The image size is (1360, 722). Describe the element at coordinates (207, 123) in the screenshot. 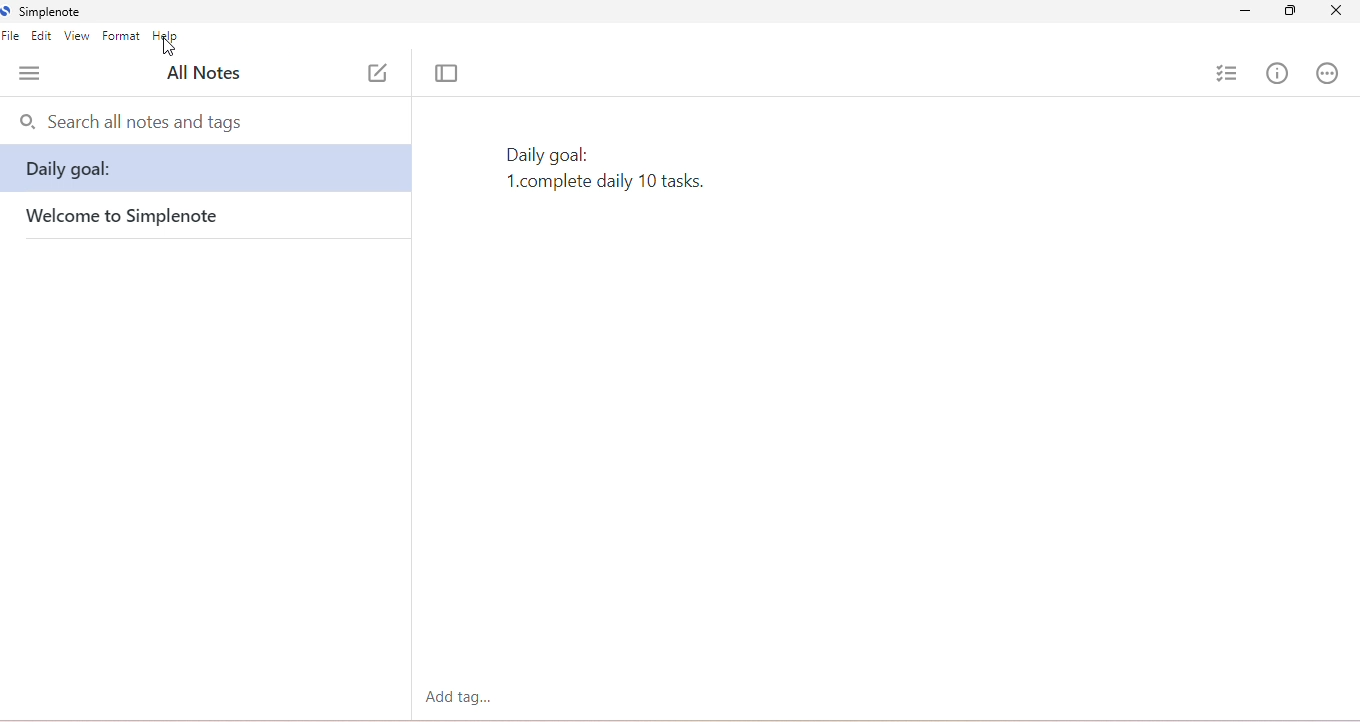

I see `search bar` at that location.